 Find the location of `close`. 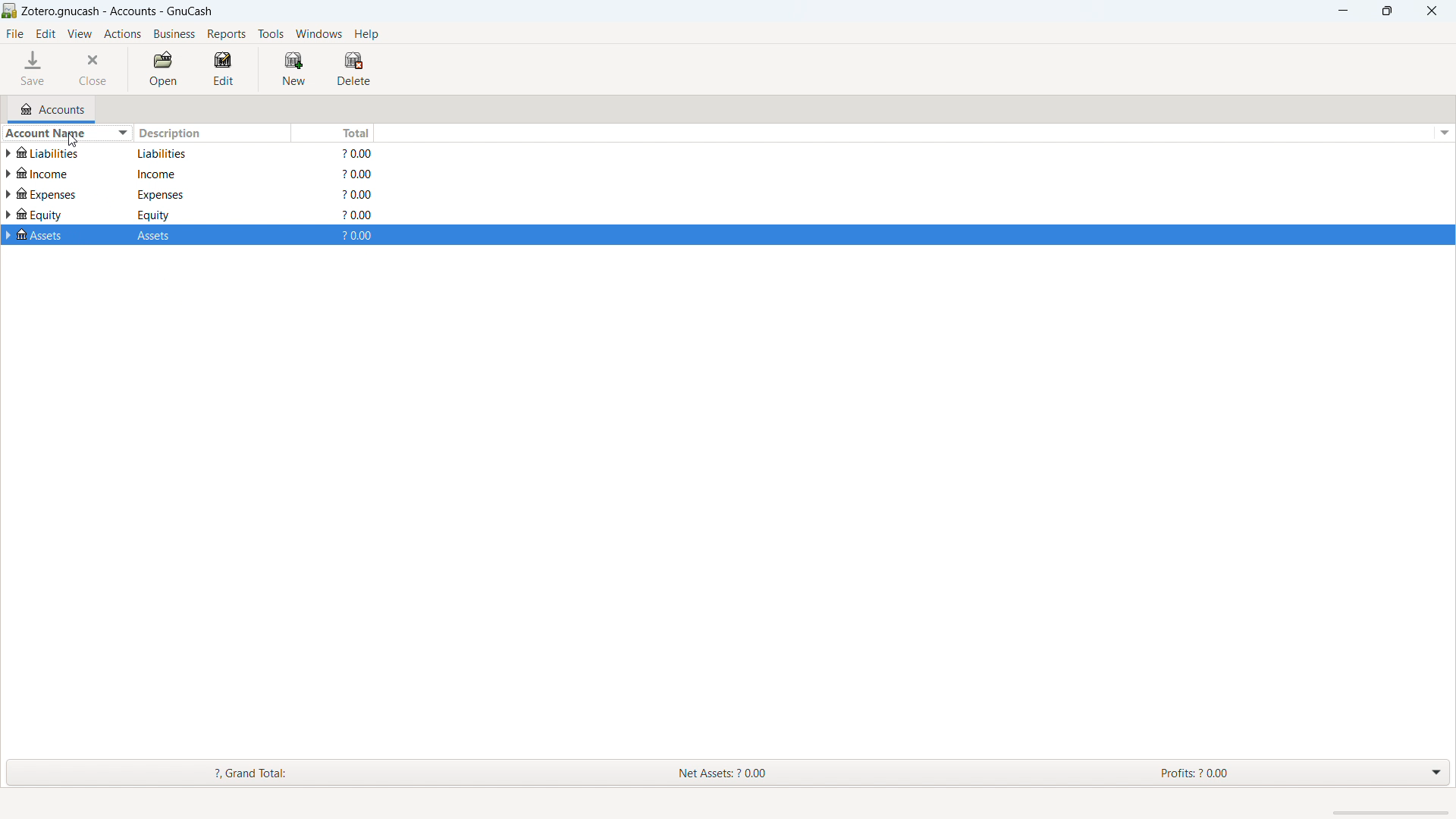

close is located at coordinates (1430, 11).